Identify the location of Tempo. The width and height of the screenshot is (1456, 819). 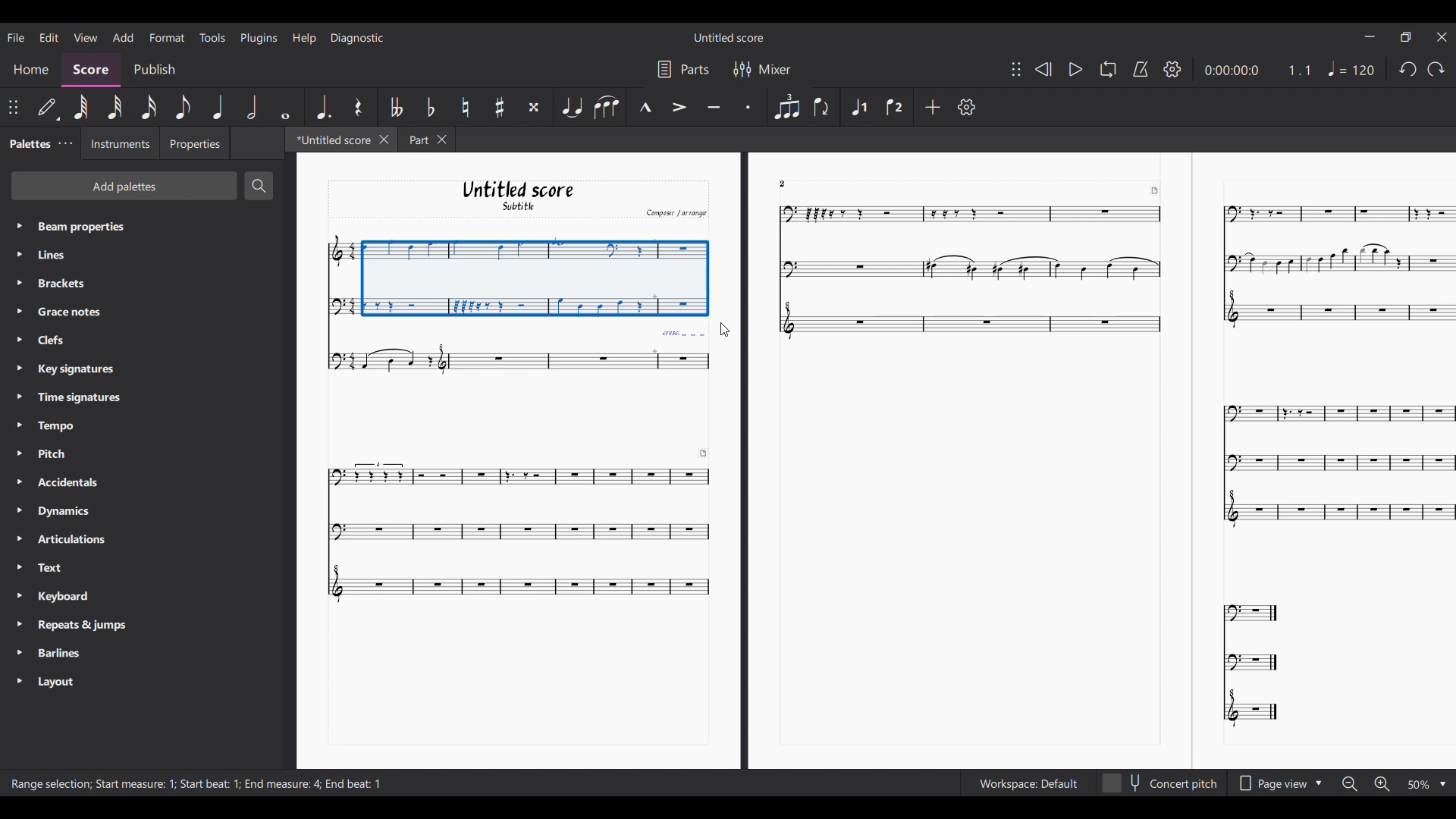
(1354, 68).